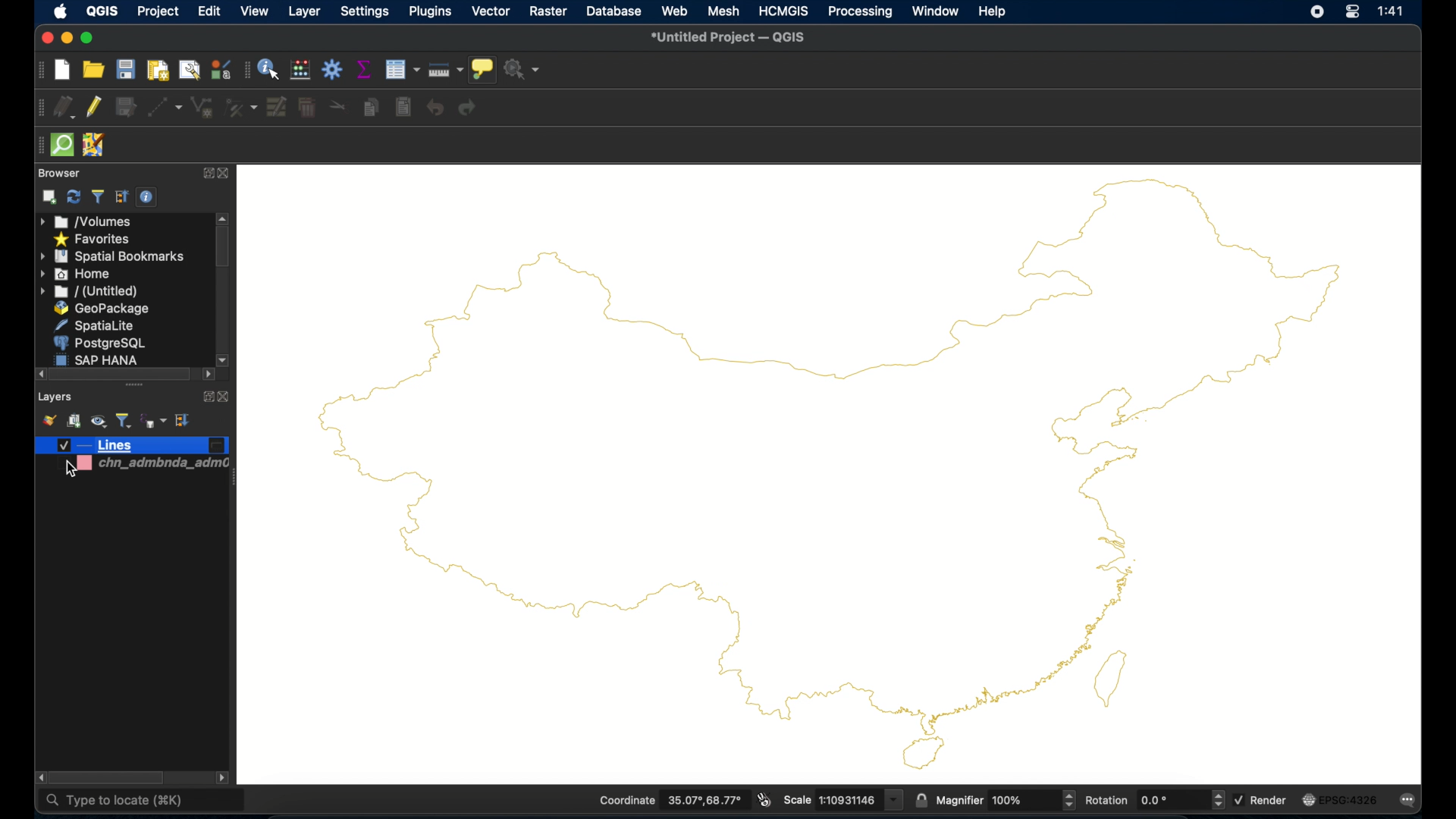  Describe the element at coordinates (124, 420) in the screenshot. I see `filter legend` at that location.